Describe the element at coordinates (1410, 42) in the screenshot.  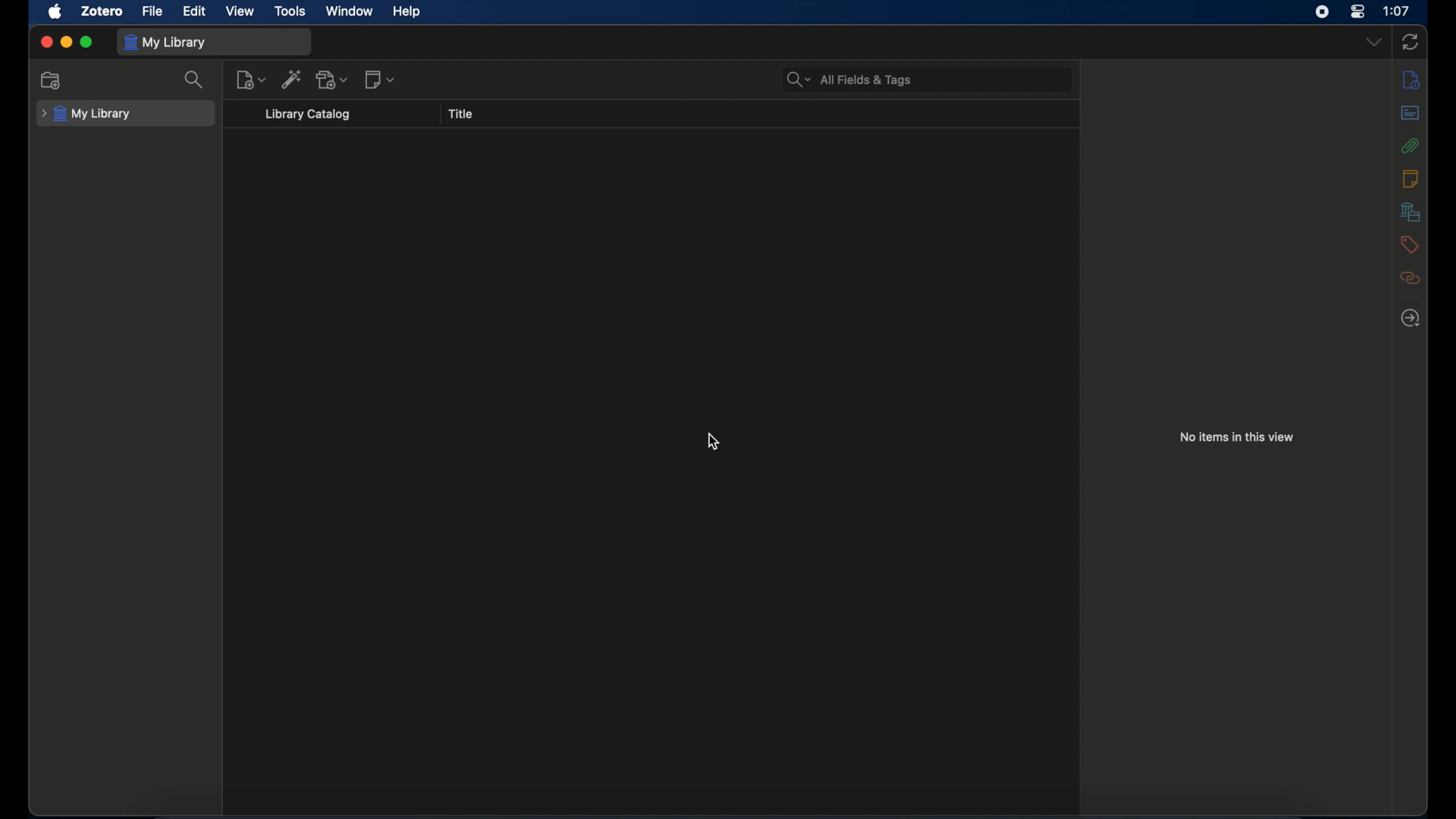
I see `sync` at that location.